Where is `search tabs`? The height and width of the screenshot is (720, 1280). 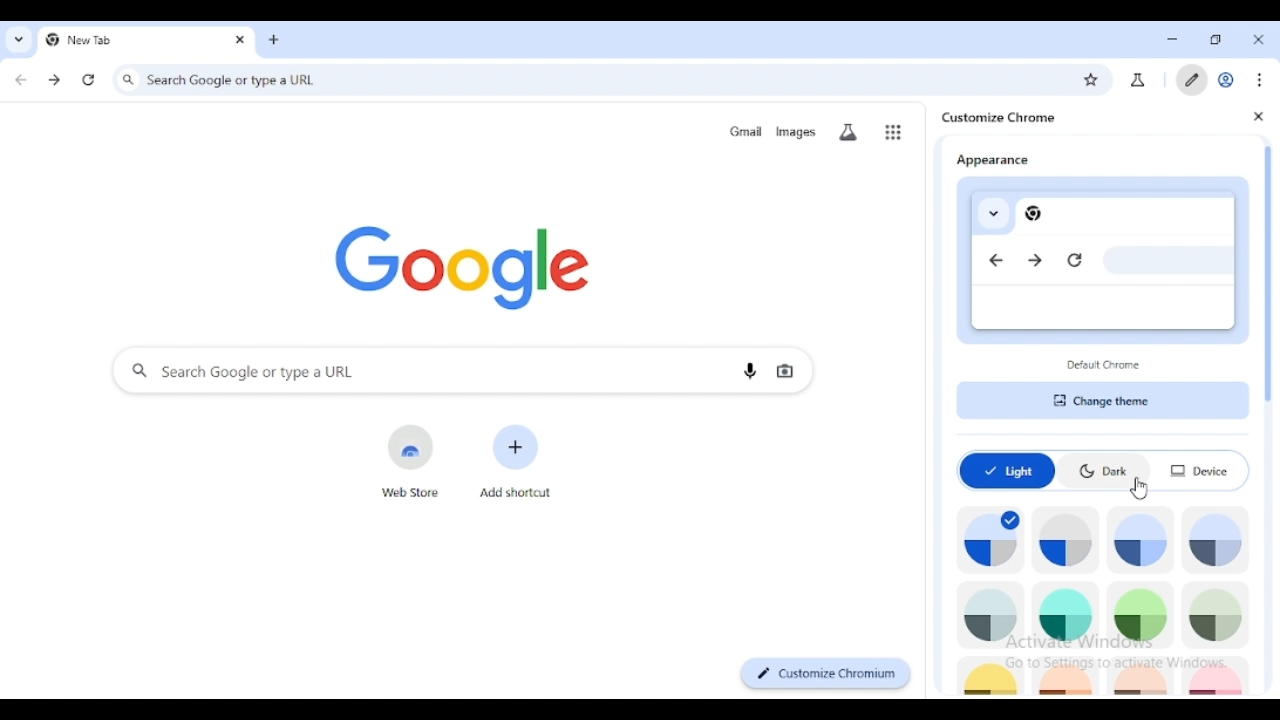 search tabs is located at coordinates (18, 40).